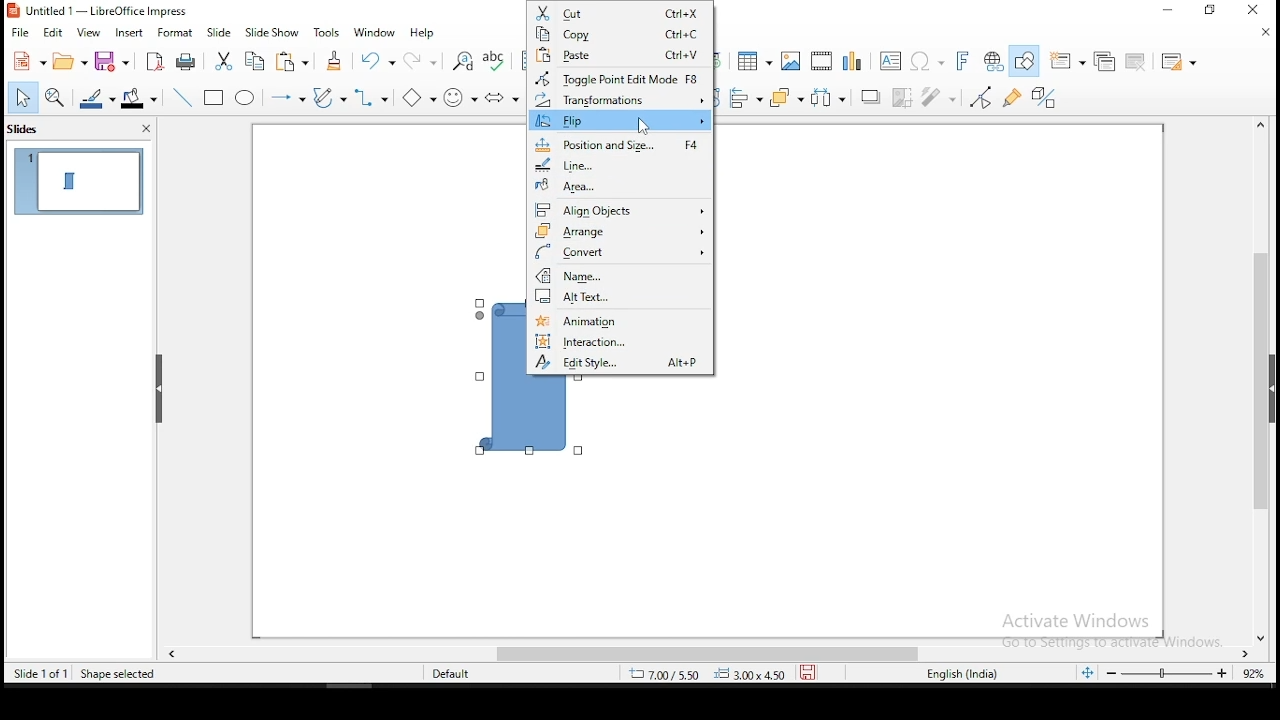  What do you see at coordinates (665, 676) in the screenshot?
I see `8.43/7.42` at bounding box center [665, 676].